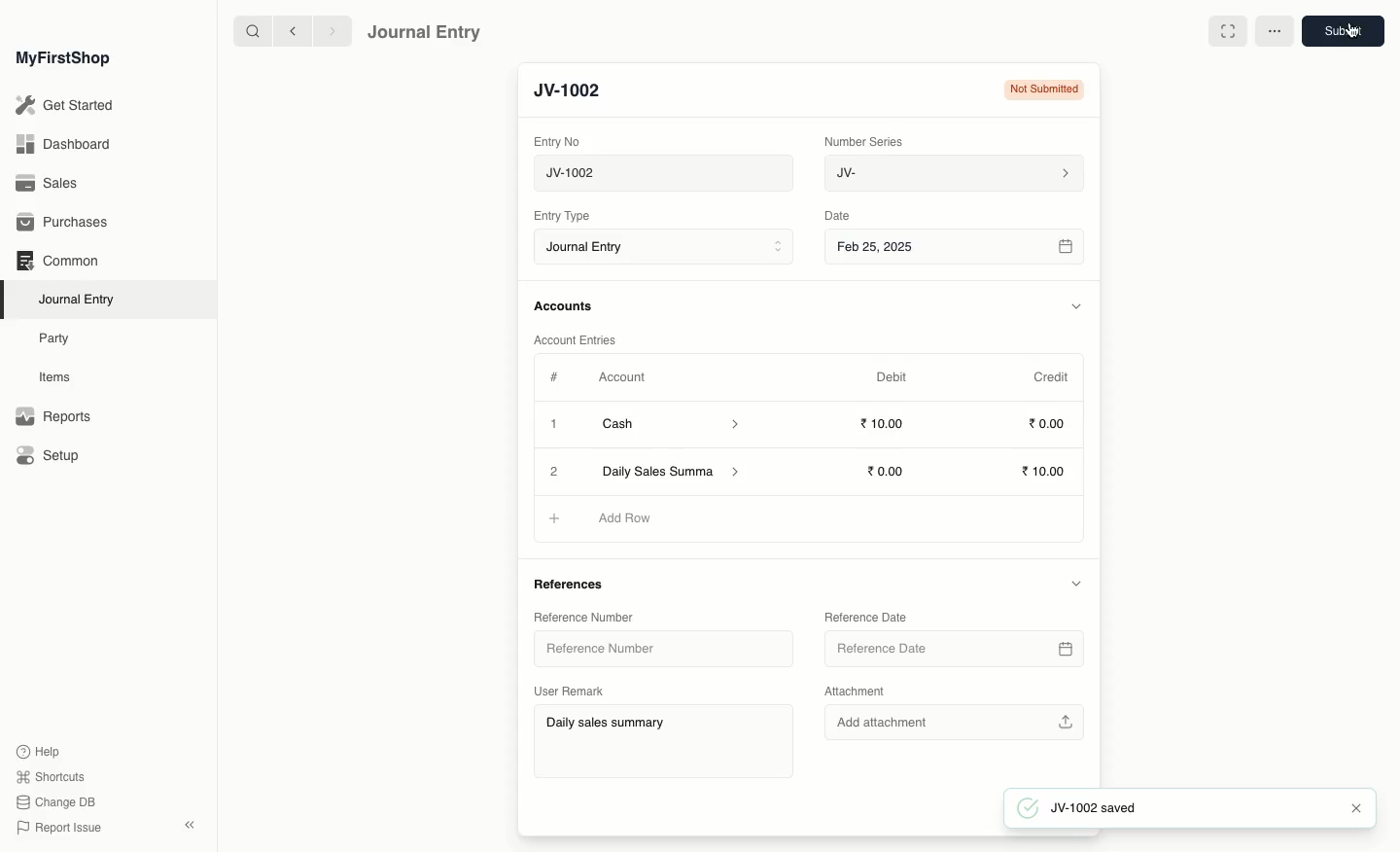  What do you see at coordinates (62, 143) in the screenshot?
I see `Dashboard` at bounding box center [62, 143].